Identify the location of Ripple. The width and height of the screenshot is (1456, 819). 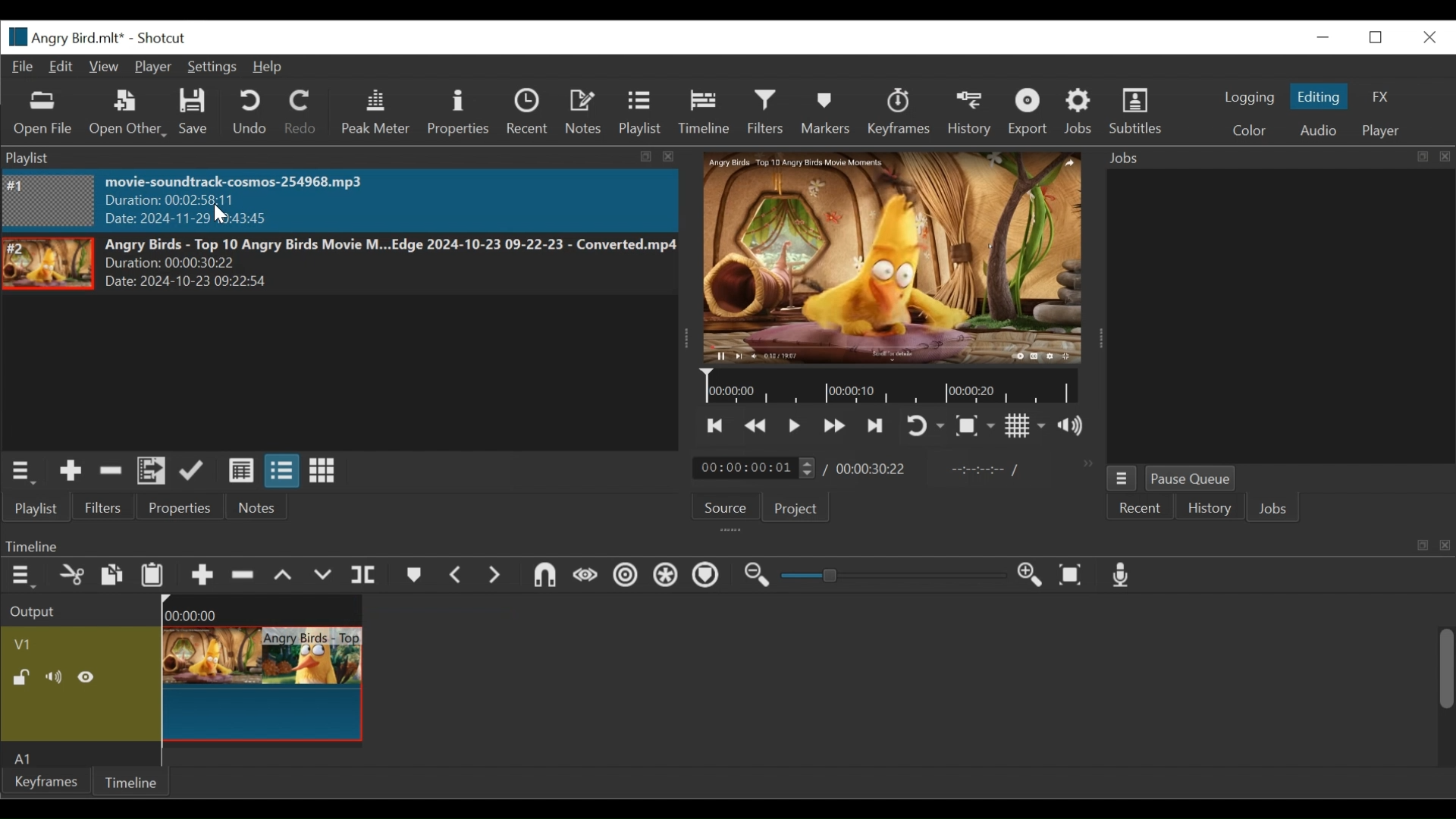
(625, 578).